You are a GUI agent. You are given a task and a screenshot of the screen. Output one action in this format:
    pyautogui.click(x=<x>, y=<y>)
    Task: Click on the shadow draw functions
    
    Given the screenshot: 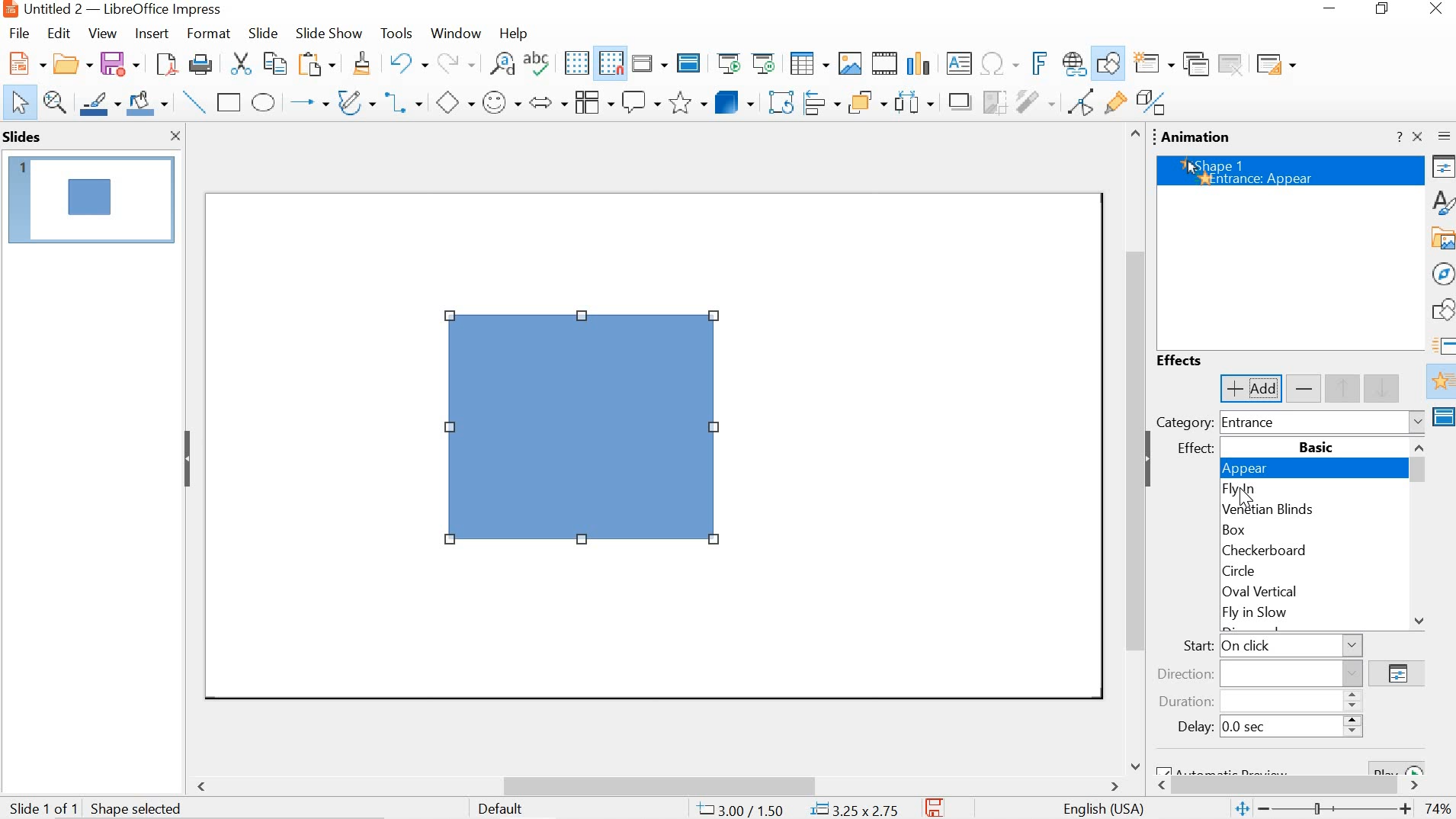 What is the action you would take?
    pyautogui.click(x=1108, y=62)
    